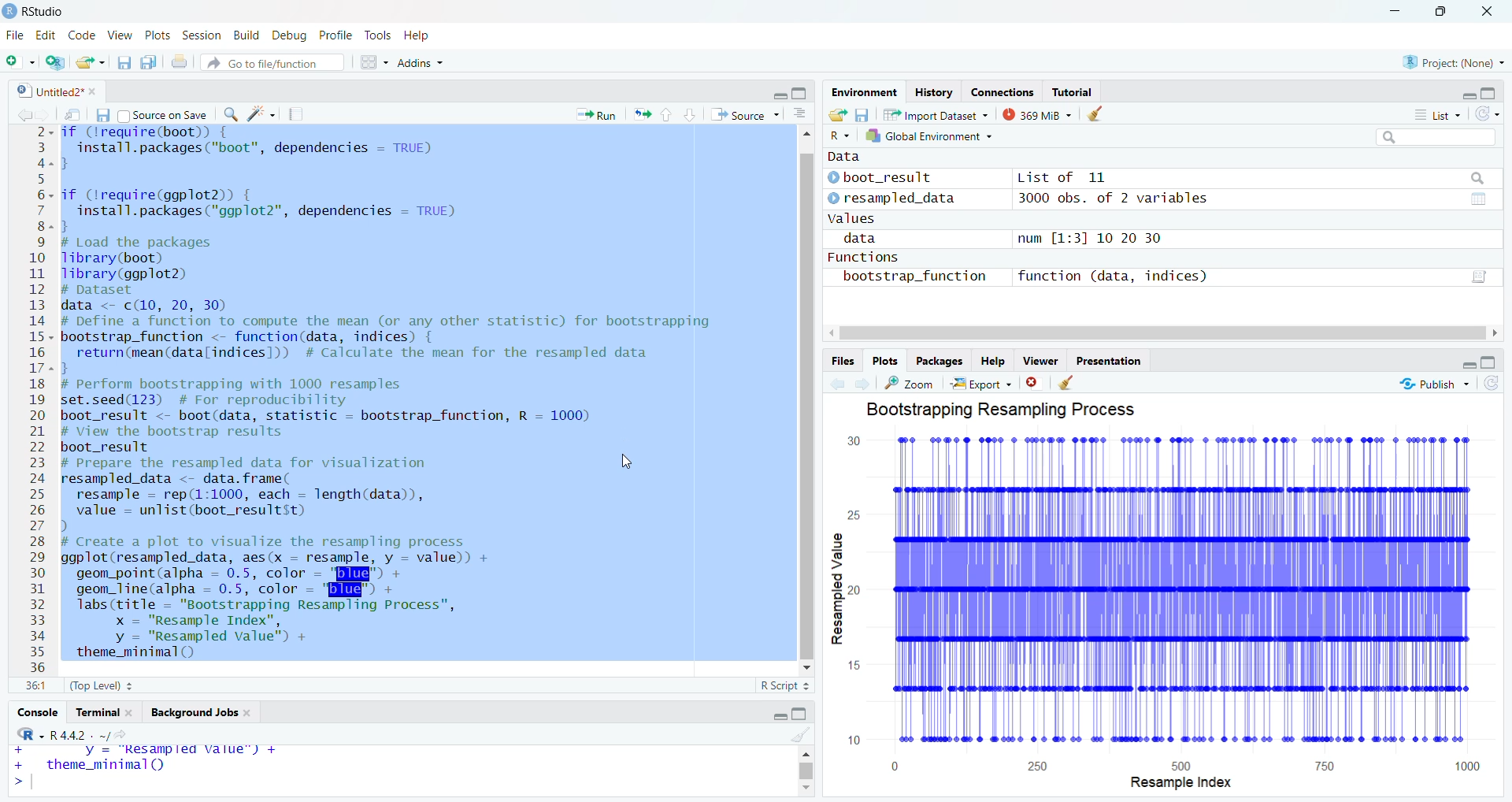 The image size is (1512, 802). I want to click on install.packages ("boot", dependencies = TRUE)
}
if (lrequire(ggplot2)) {
install.packages("ggplot2", dependencies = TRUE)
3
# Load the packages
Tibrary(boot)
Tibrary(ggplot2)
# Dataset
data <- c(10, 20, 30)
# Define a function to compute the mean (or any other statistic) for bootstrapping
bootstrap_function <- function(data, indices) {
return(mean(datalindices])) # Calculate the mean for the resampled data
3
# perform bootstrapping with 1000 resamples
set.seed(123) # For reproducibility
boot_result <- boot(data, statistic = bootstrap_function, R = 1000)
# View the bootstrap results
boot_result
# Prepare the resampled data for visualization
resampled_data <- data. frame(
resample = rep(1:1000, each = Tlength(data)),
value = unlist(boot_resultst)
)
# Create a plot to visualize the resampling process
ggplot(resampled_data, aes(x = resample, y = value)) +
geom_point(alpha = 0.5, color =" |") +
geom_line(alpha = 0.5, color = " I") +
Tabs(title = "Bootstrapping Resampling Process",
x = "Resample Index",
y = "Resampled value") + 1
theme_minimal (), so click(424, 392).